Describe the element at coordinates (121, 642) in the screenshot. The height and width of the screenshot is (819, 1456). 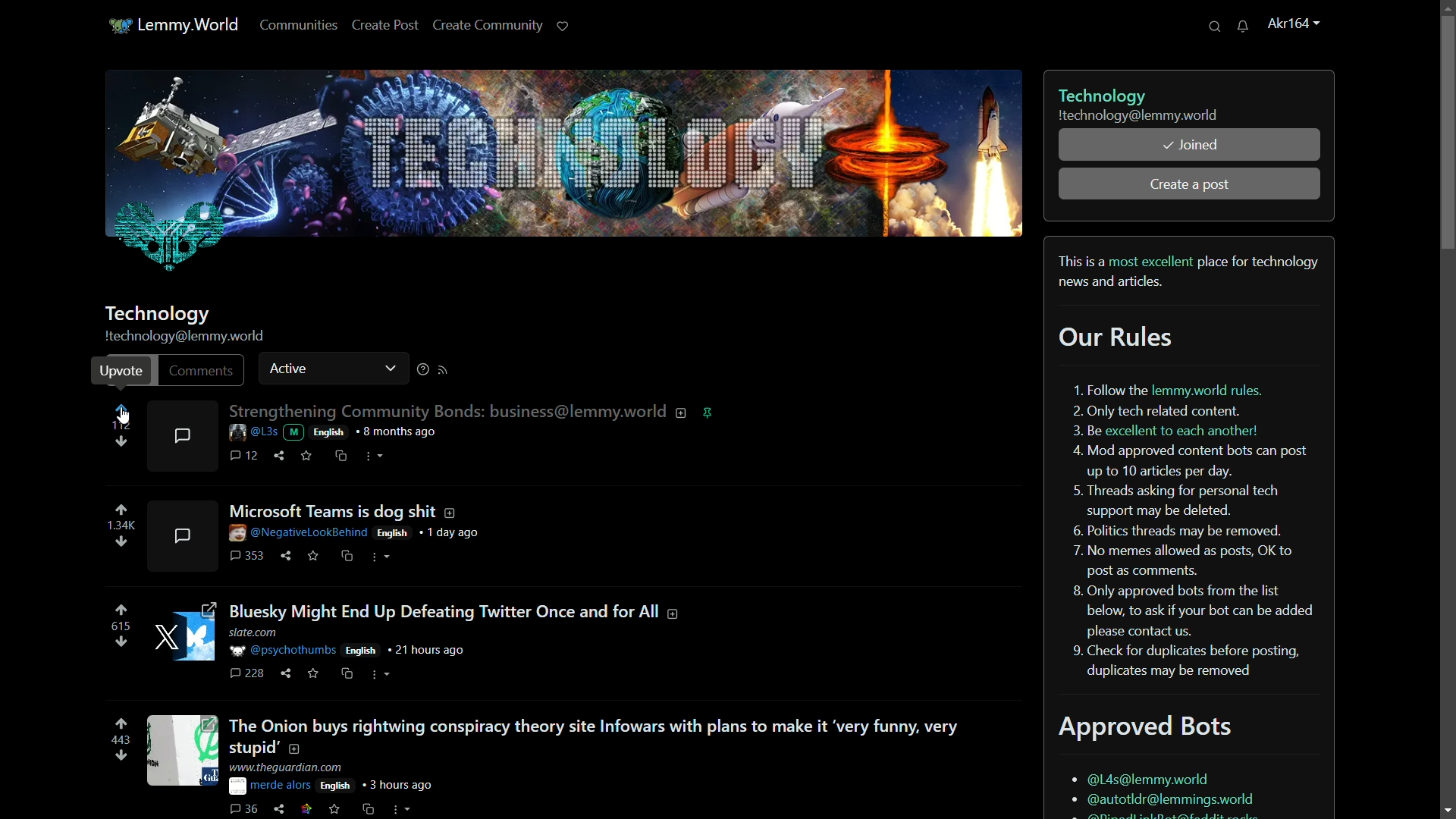
I see `downvote` at that location.